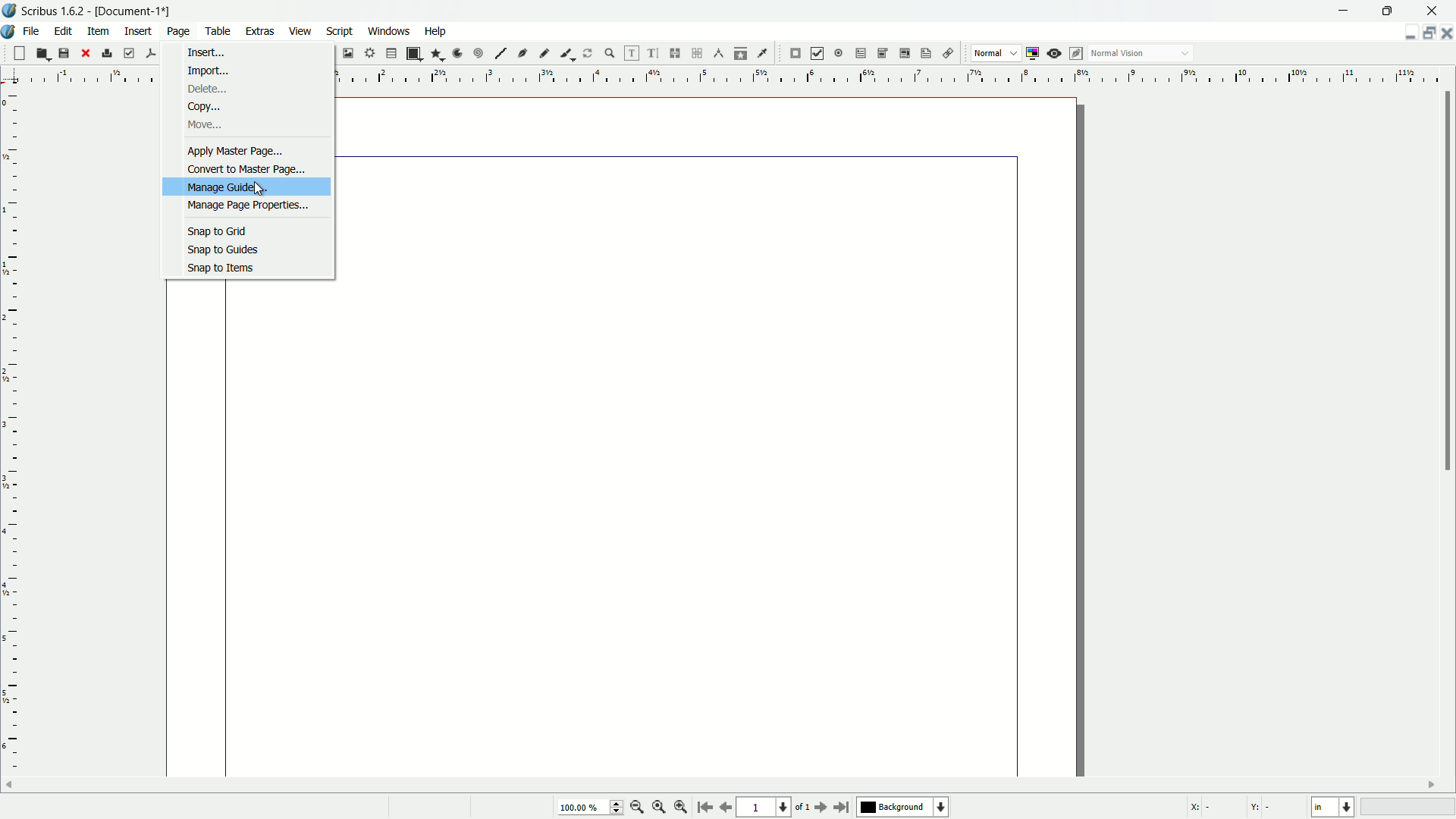  What do you see at coordinates (588, 808) in the screenshot?
I see `current zoom percentage` at bounding box center [588, 808].